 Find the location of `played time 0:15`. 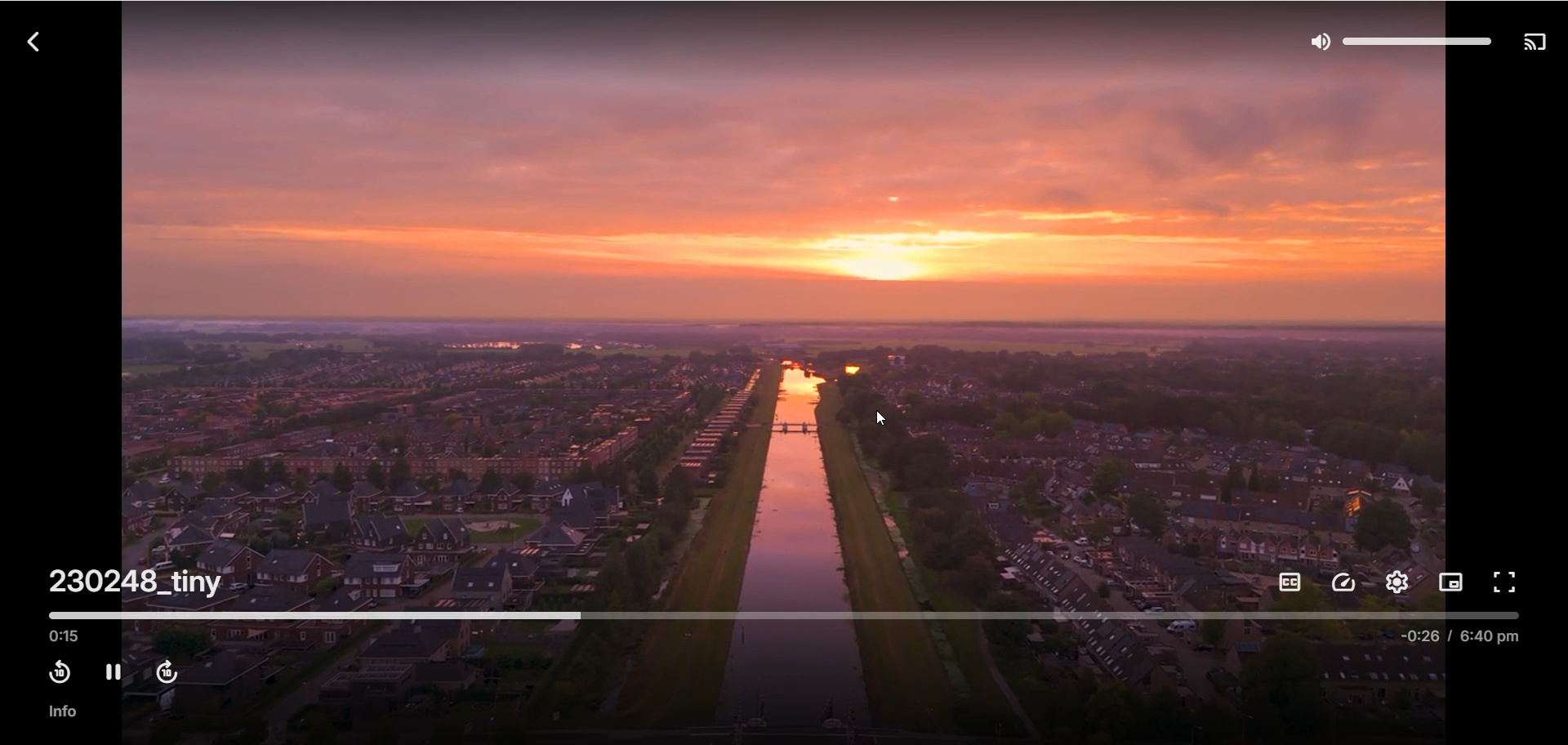

played time 0:15 is located at coordinates (66, 636).